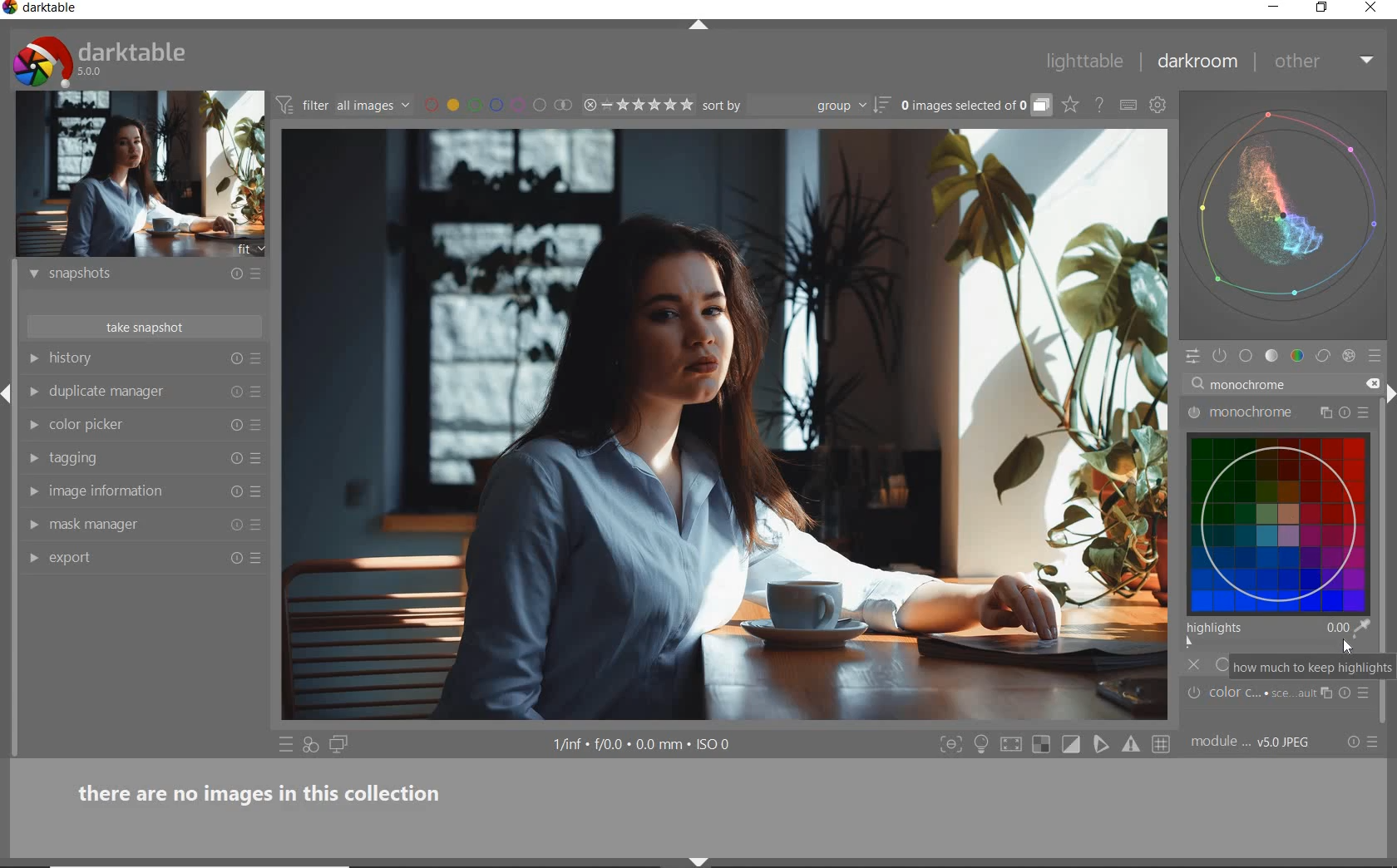  What do you see at coordinates (1221, 357) in the screenshot?
I see `show only active modules` at bounding box center [1221, 357].